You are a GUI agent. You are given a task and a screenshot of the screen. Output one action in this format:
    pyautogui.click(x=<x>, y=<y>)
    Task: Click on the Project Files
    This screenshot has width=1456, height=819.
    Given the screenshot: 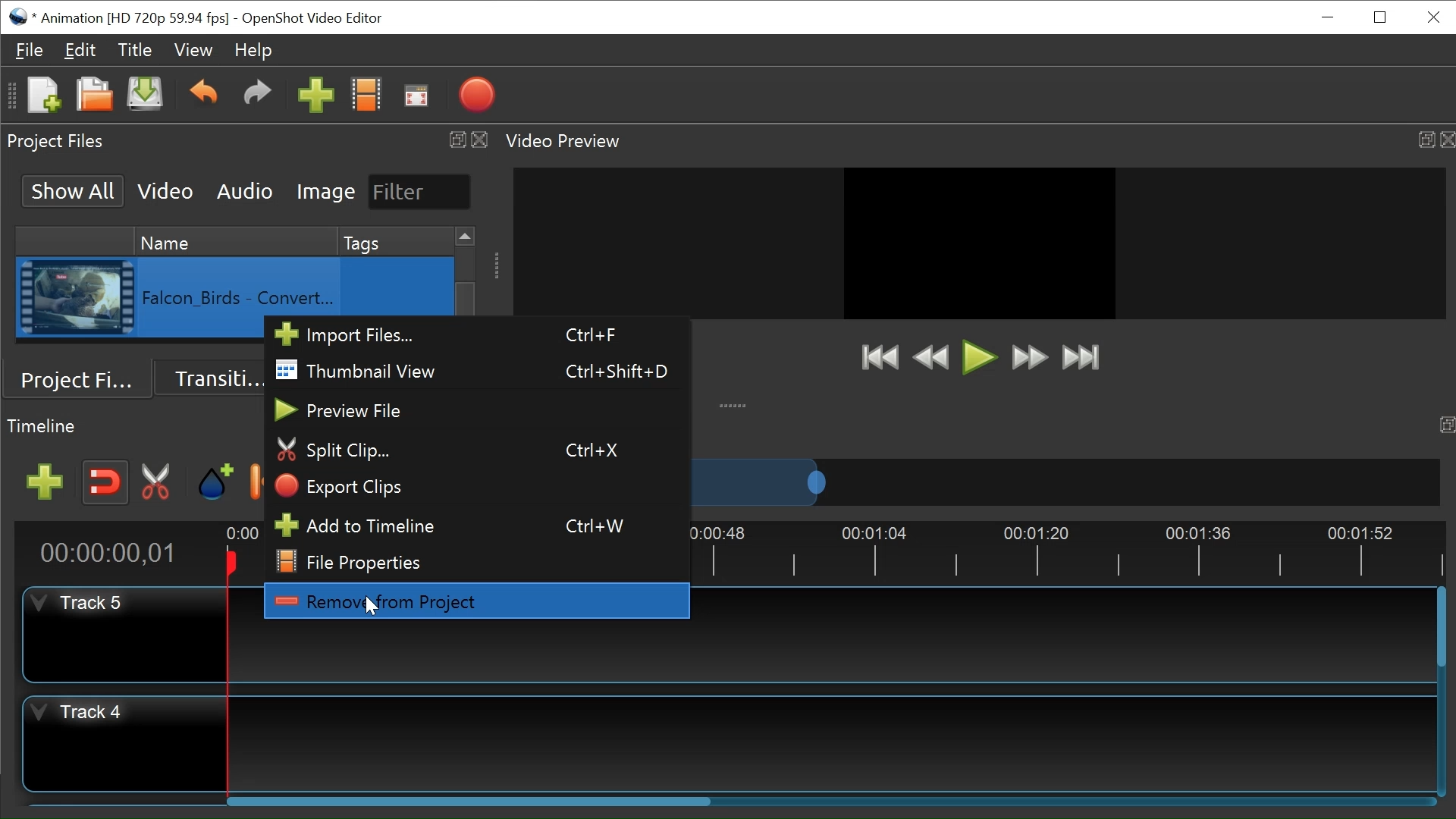 What is the action you would take?
    pyautogui.click(x=79, y=379)
    